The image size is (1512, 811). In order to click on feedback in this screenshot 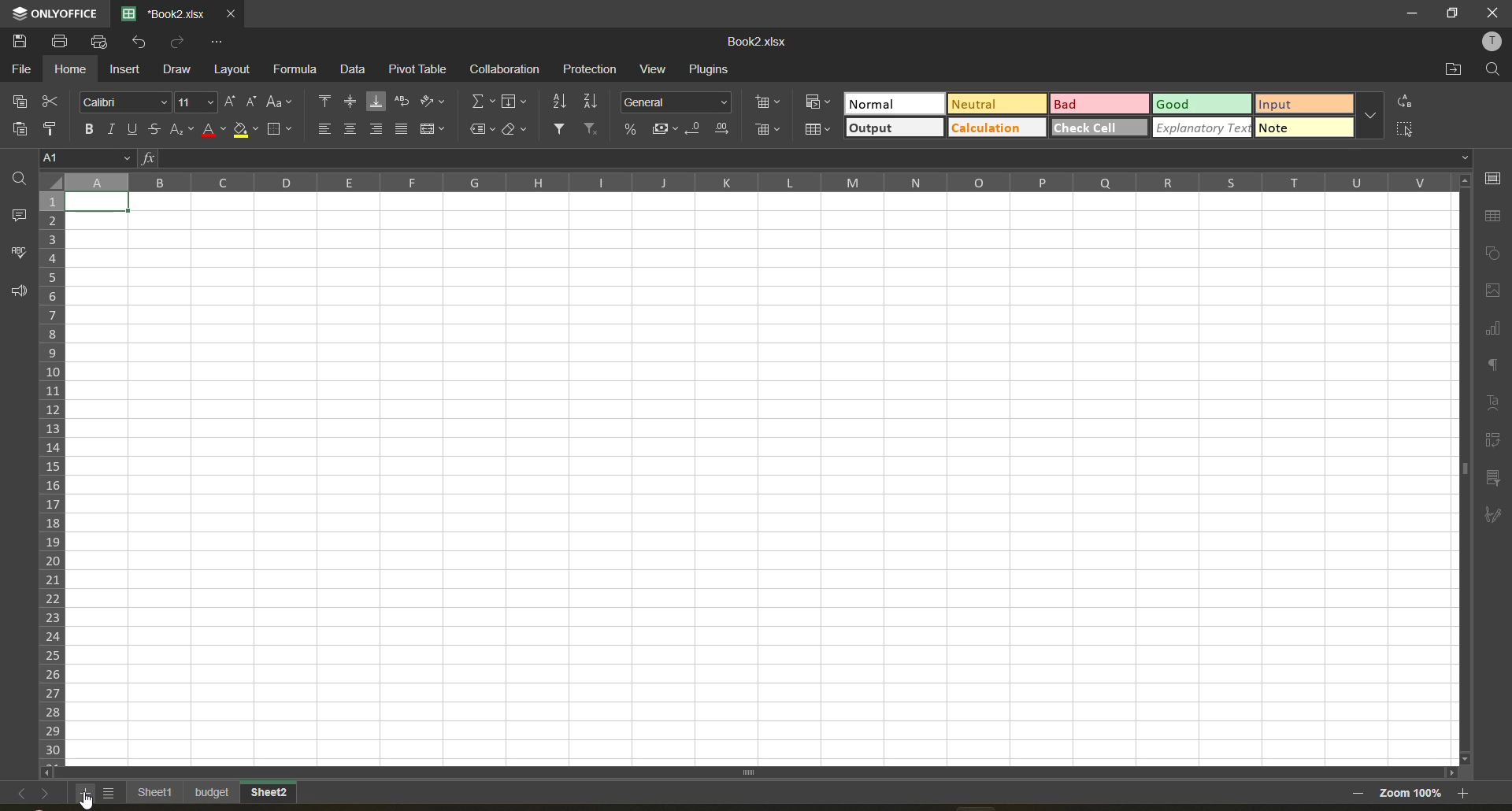, I will do `click(22, 287)`.